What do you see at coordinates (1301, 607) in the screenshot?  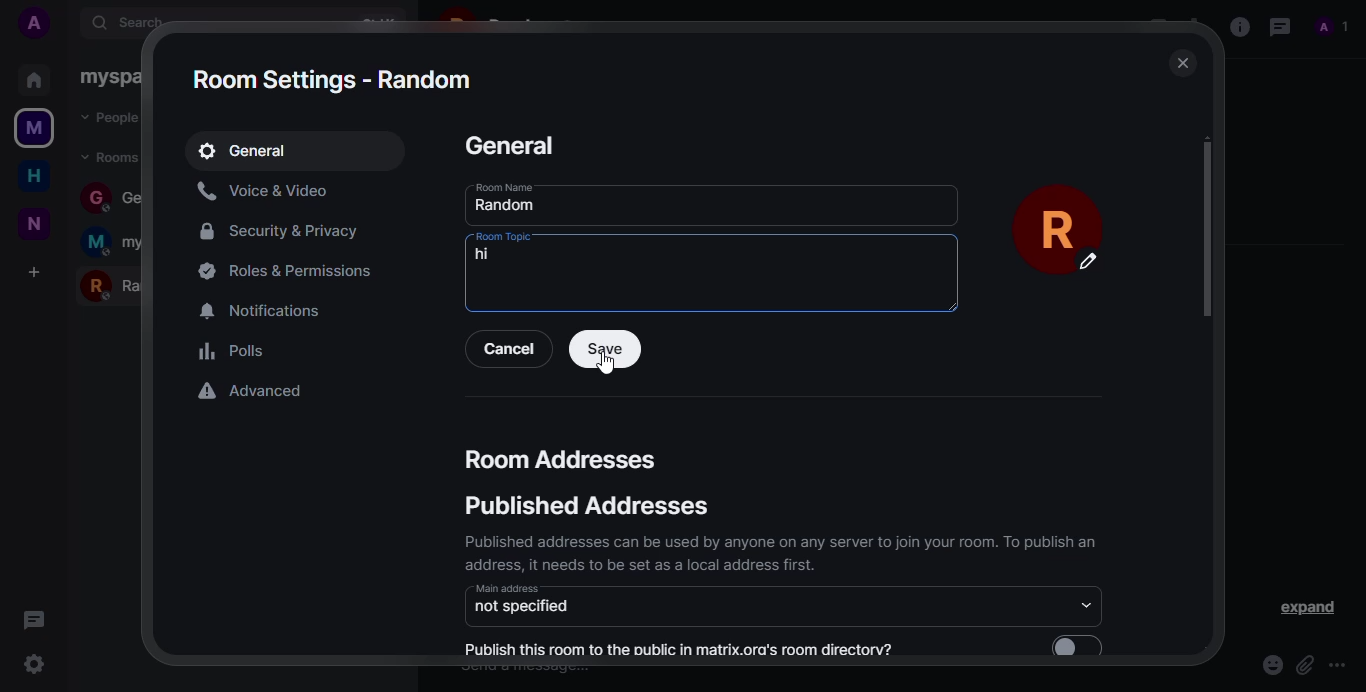 I see `expand` at bounding box center [1301, 607].